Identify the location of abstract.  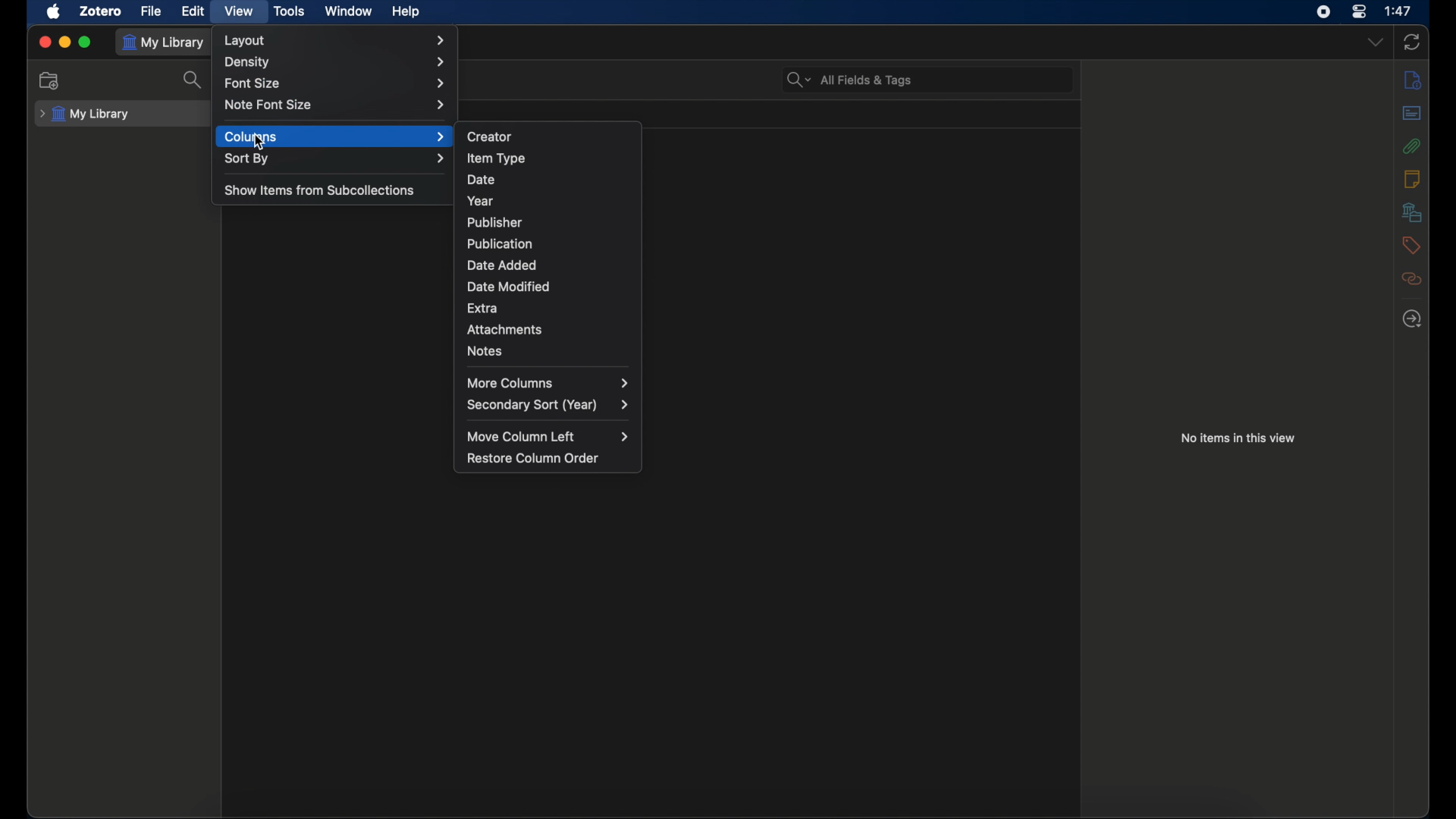
(1410, 113).